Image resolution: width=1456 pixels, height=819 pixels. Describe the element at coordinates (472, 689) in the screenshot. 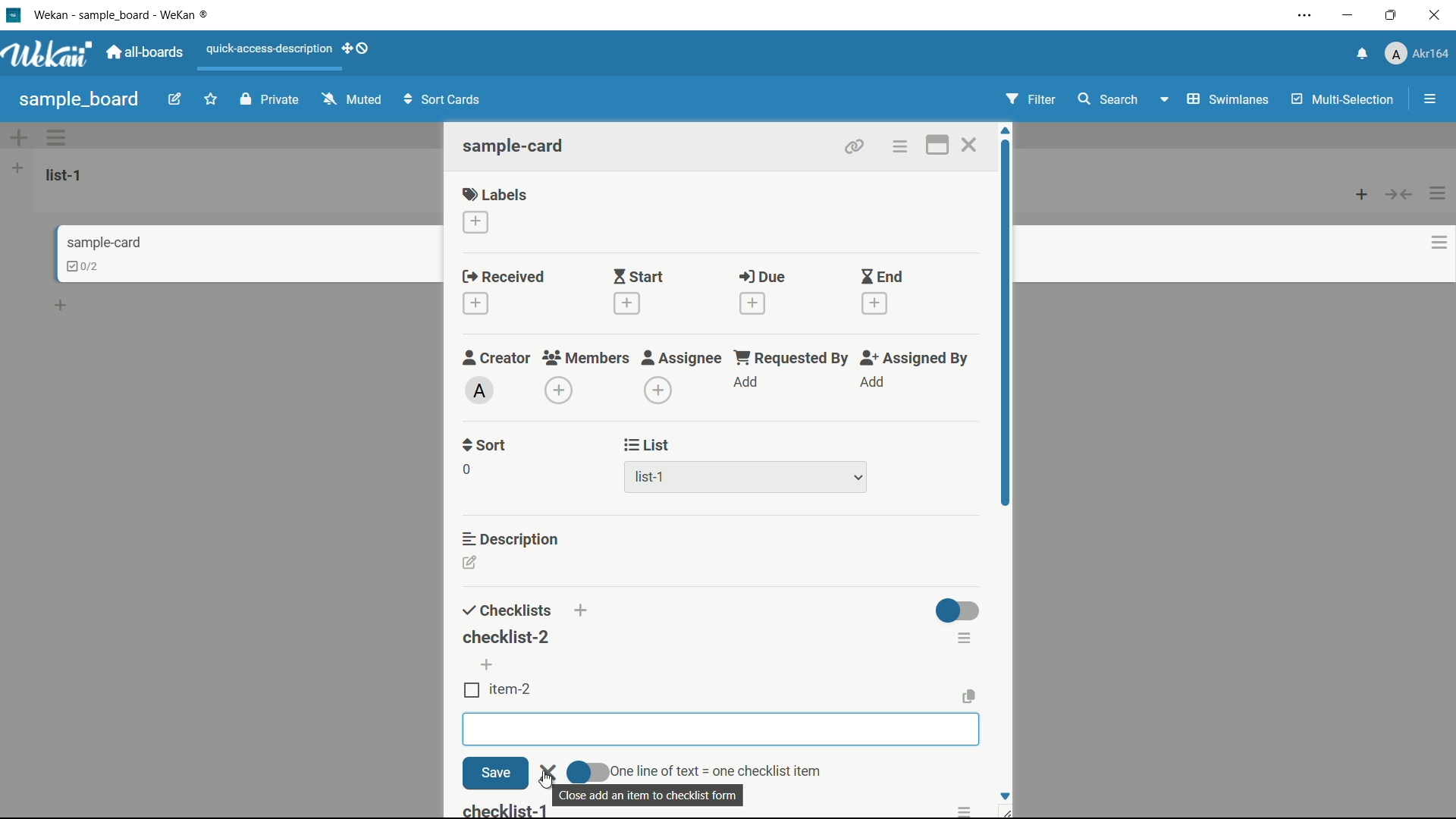

I see `checkbox` at that location.